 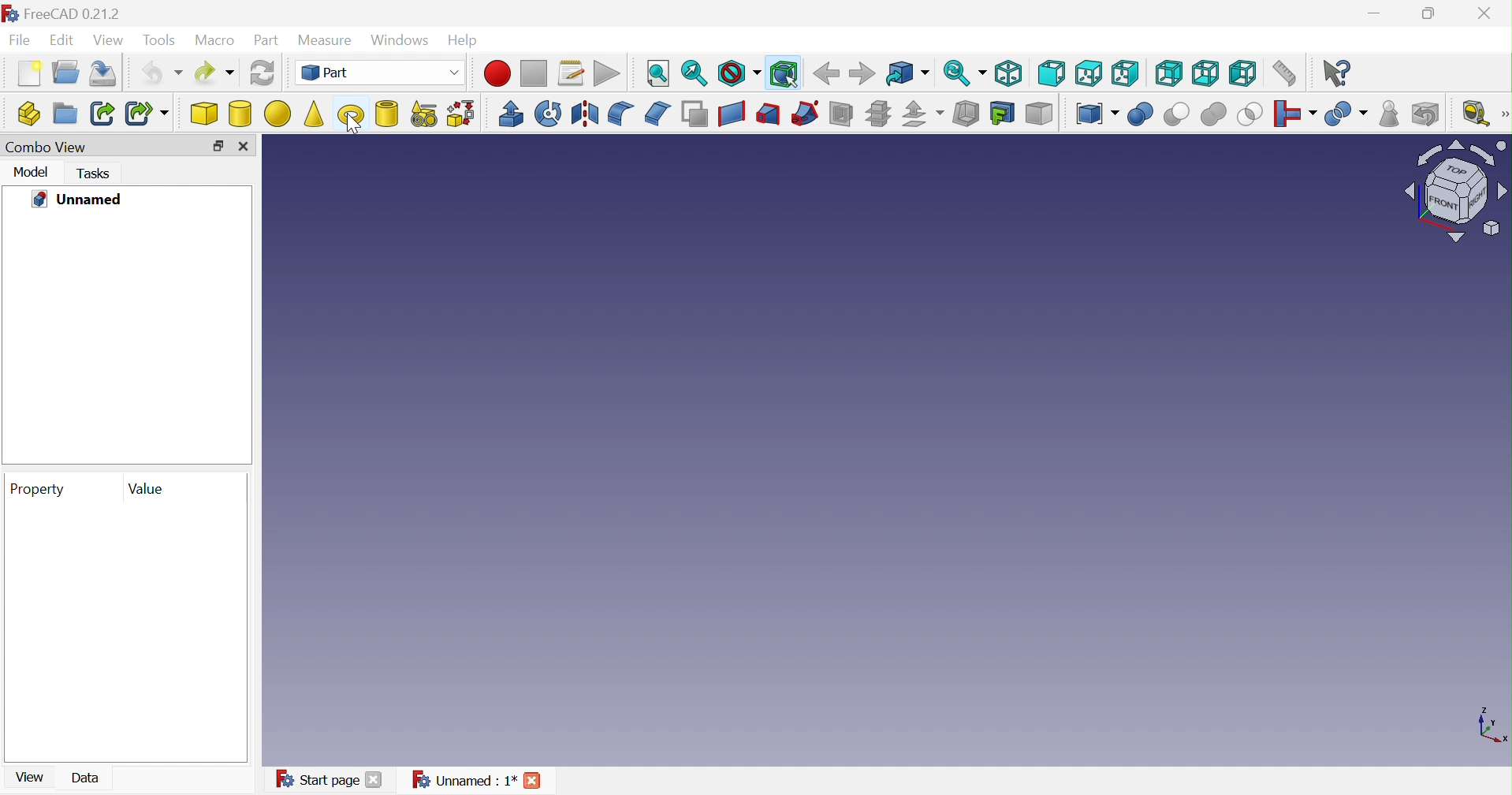 What do you see at coordinates (1297, 116) in the screenshot?
I see `Join objects` at bounding box center [1297, 116].